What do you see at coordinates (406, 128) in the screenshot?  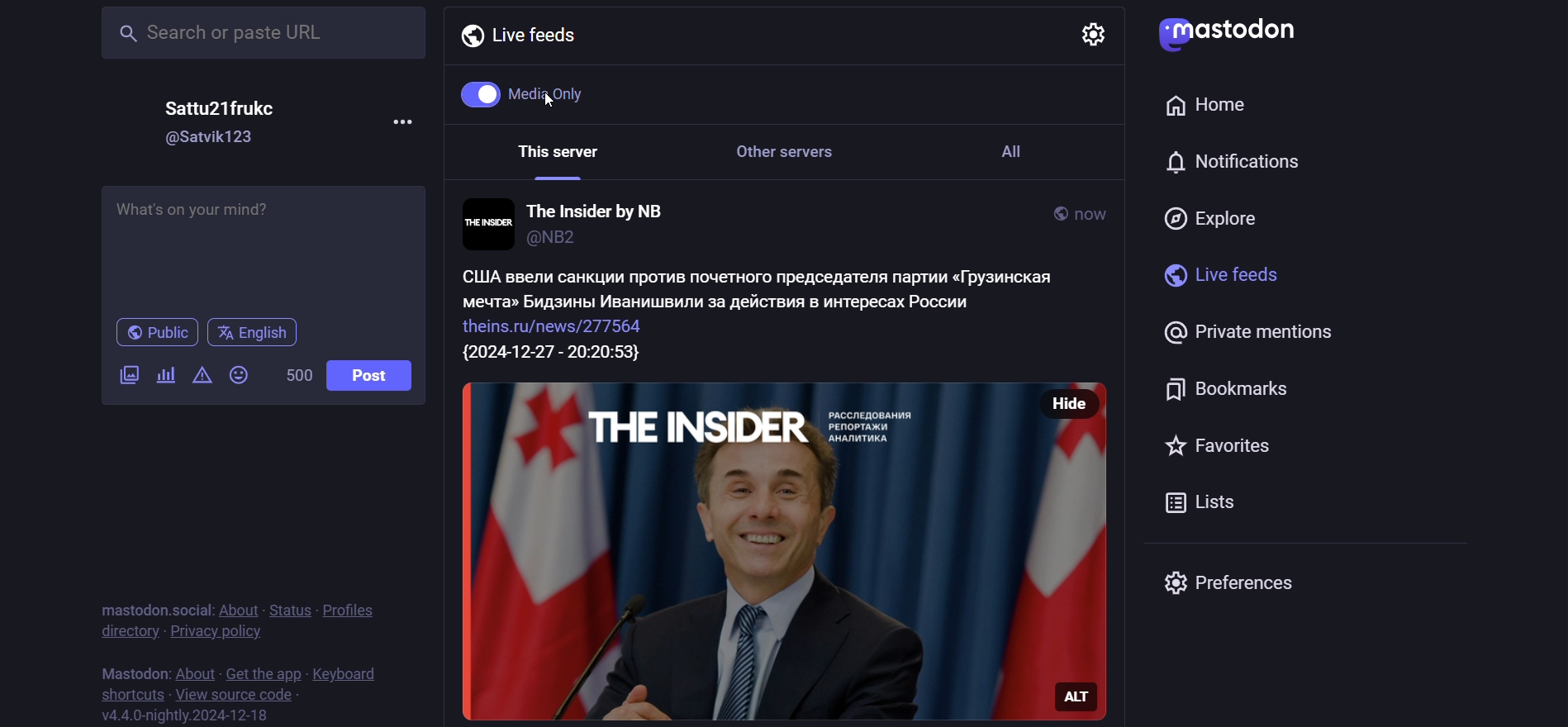 I see `more` at bounding box center [406, 128].